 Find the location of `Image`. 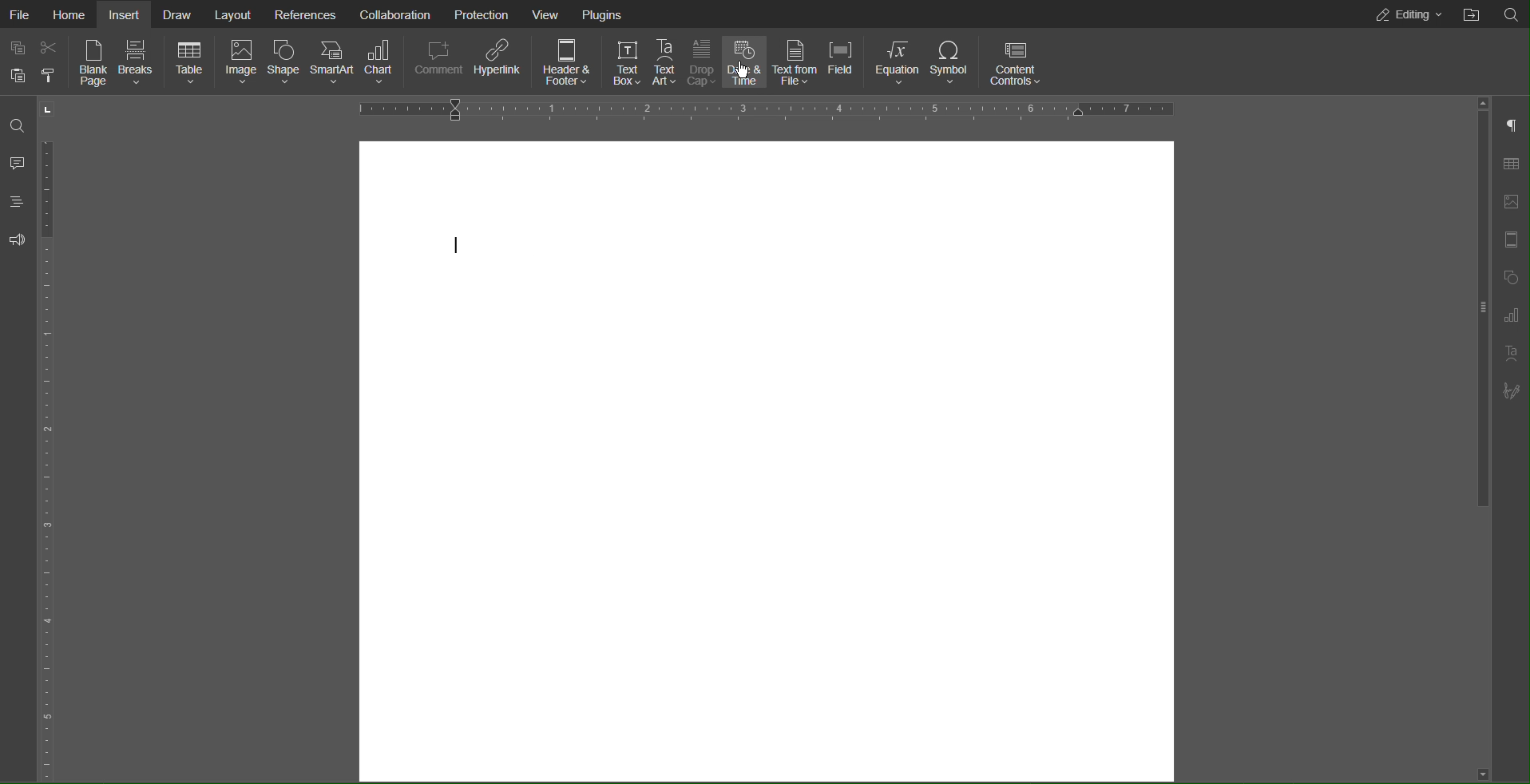

Image is located at coordinates (241, 65).